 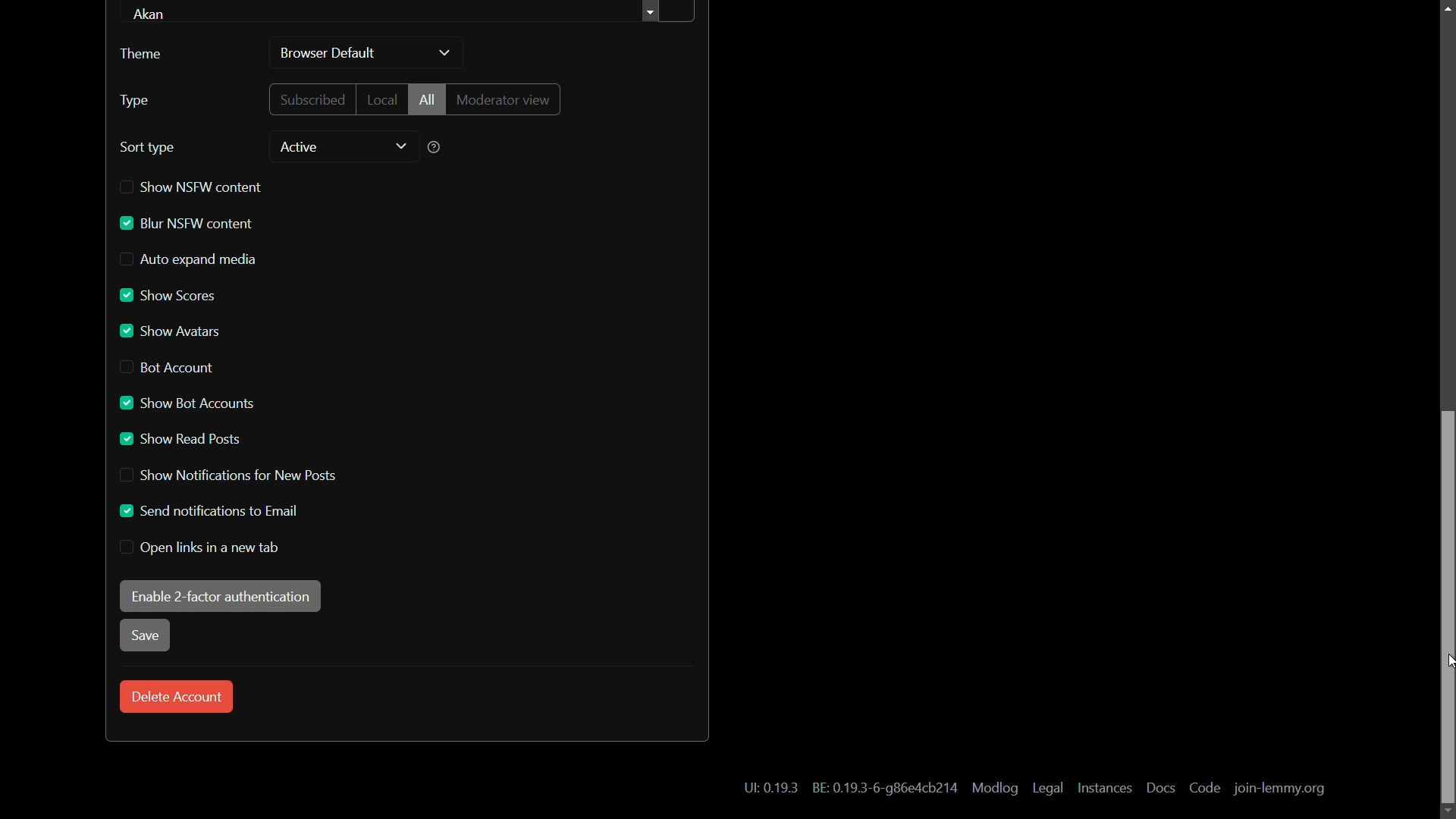 What do you see at coordinates (192, 187) in the screenshot?
I see `show nsfw content` at bounding box center [192, 187].